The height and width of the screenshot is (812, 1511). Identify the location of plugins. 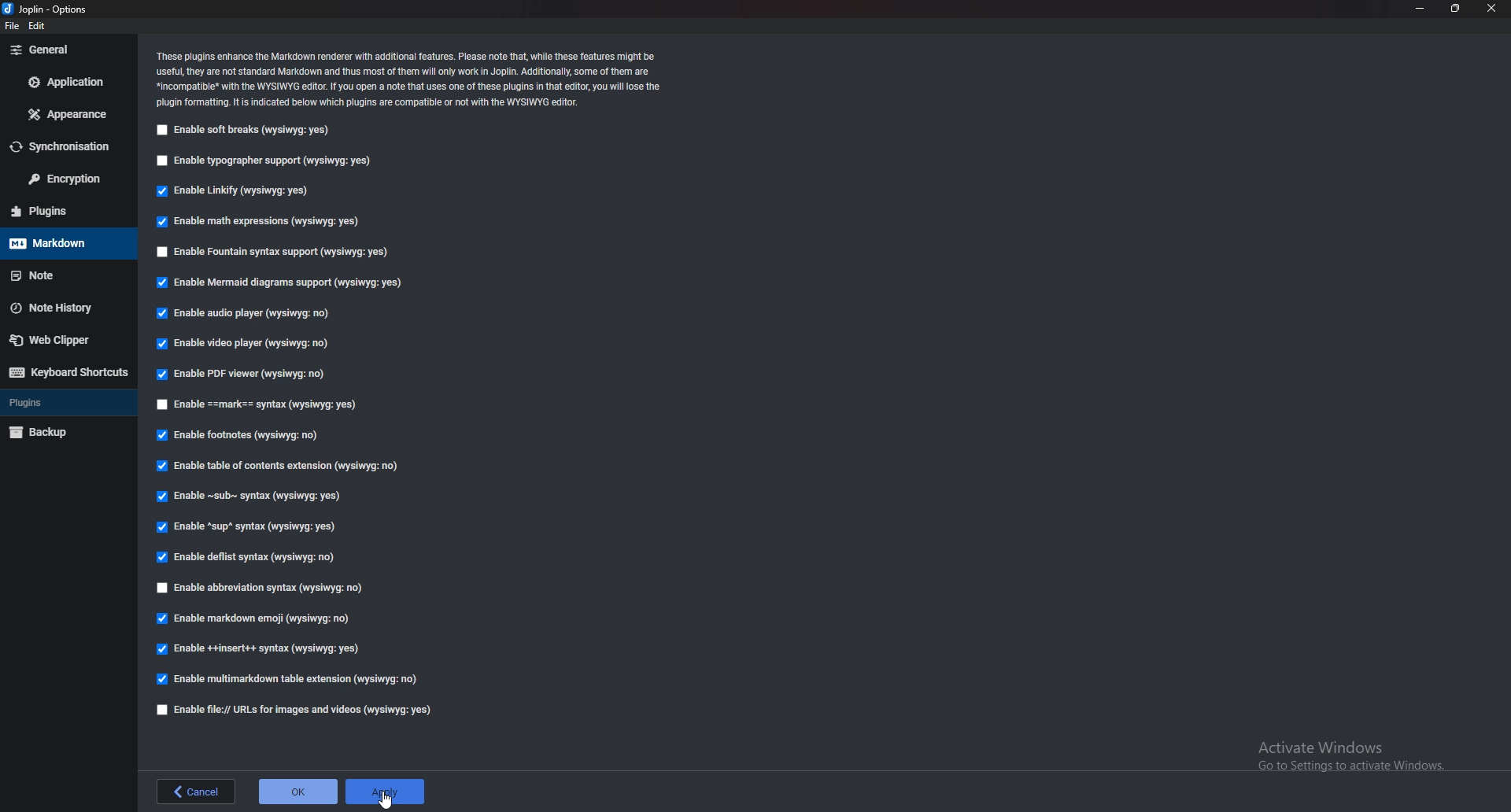
(65, 210).